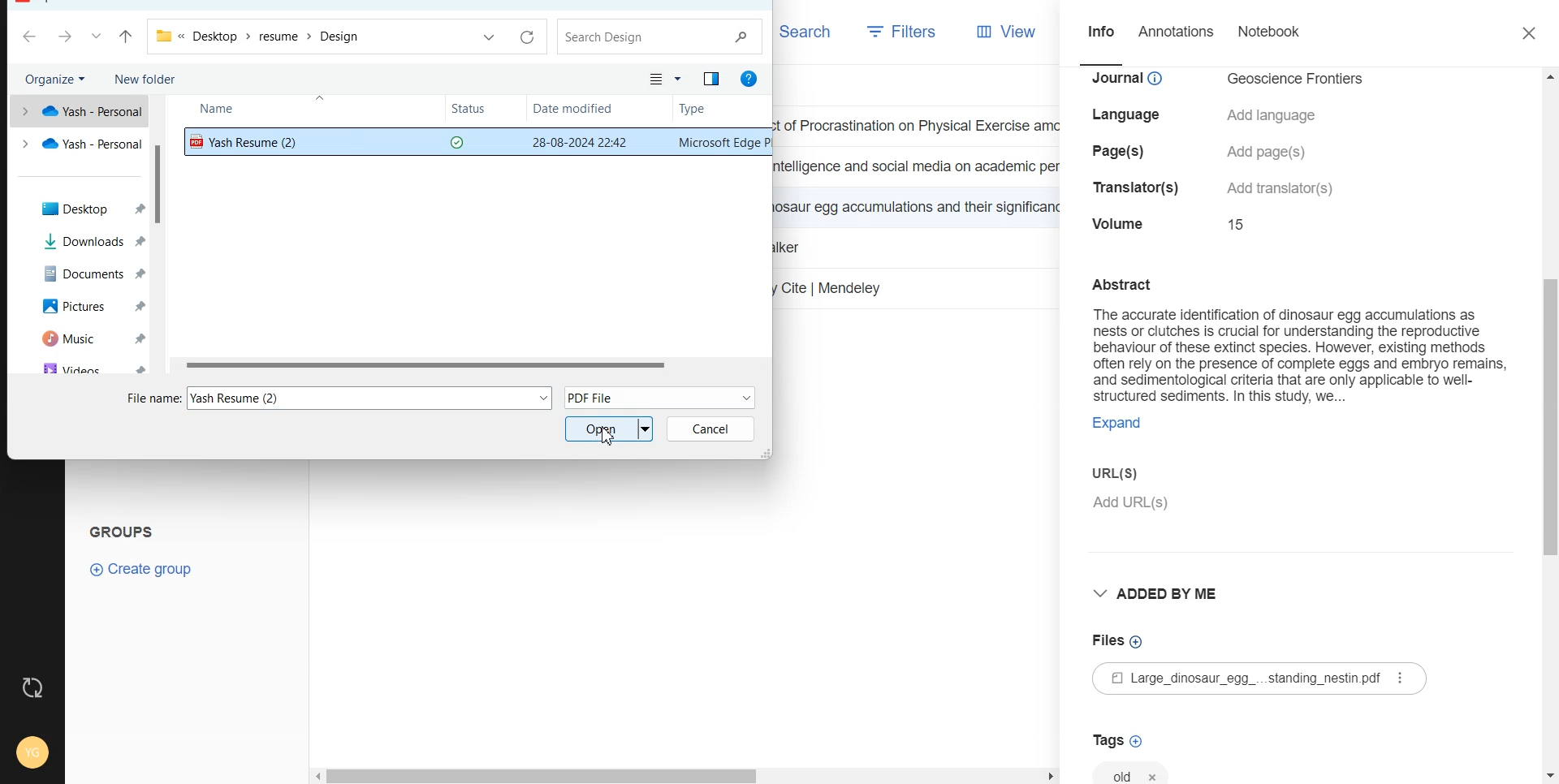 This screenshot has height=784, width=1559. What do you see at coordinates (145, 78) in the screenshot?
I see `New Folder` at bounding box center [145, 78].